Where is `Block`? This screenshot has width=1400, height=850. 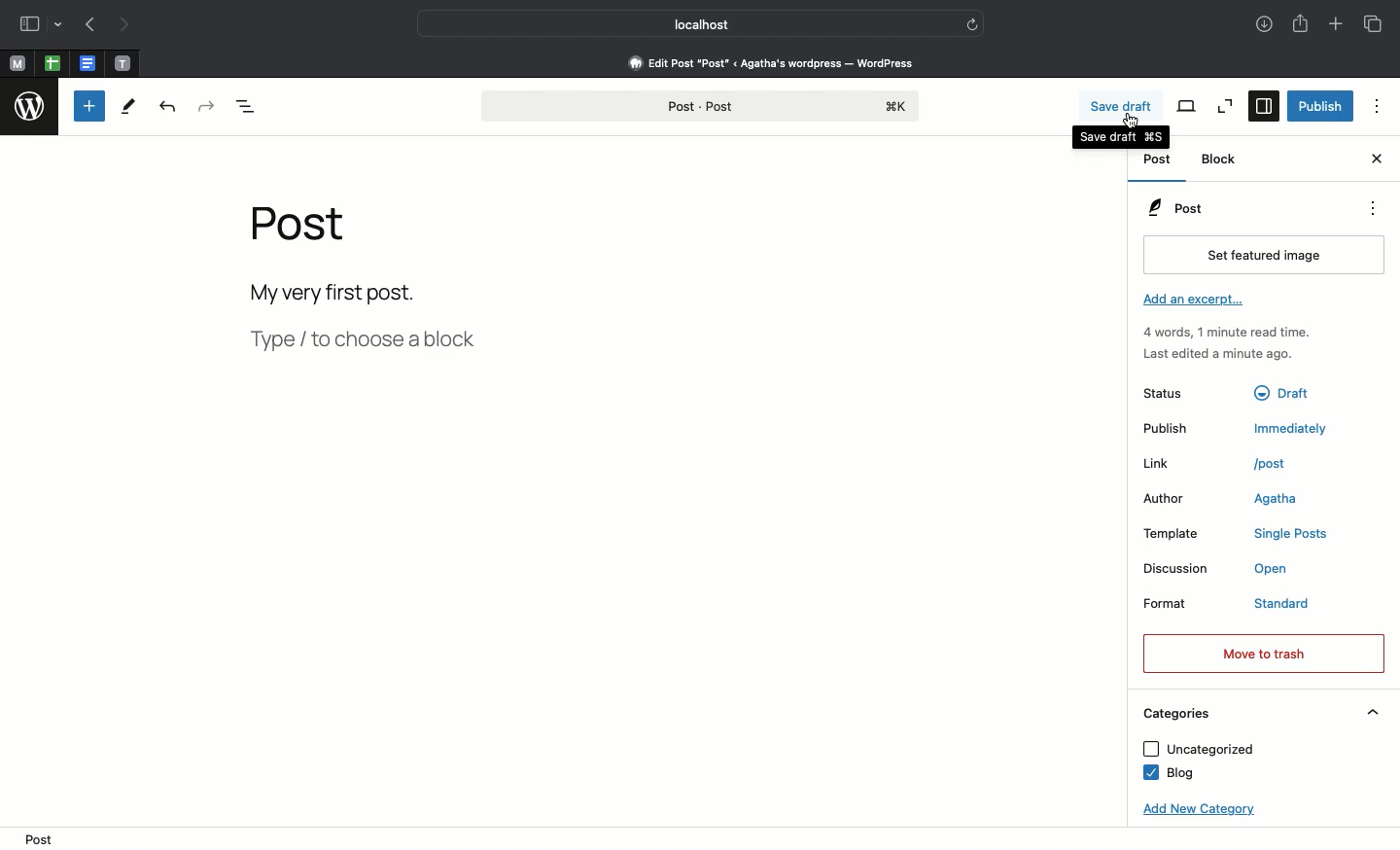 Block is located at coordinates (1221, 159).